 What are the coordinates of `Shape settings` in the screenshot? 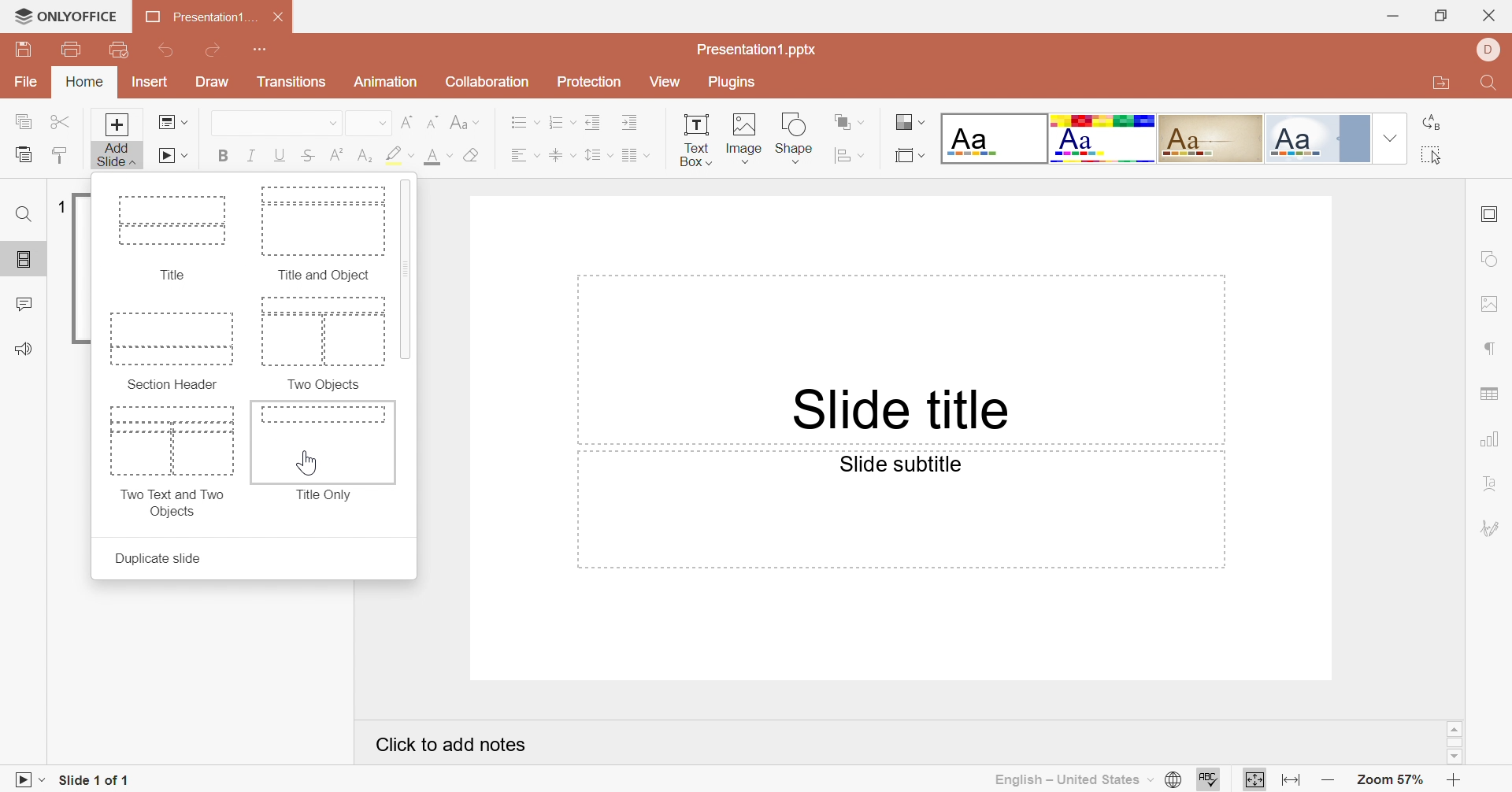 It's located at (1488, 258).